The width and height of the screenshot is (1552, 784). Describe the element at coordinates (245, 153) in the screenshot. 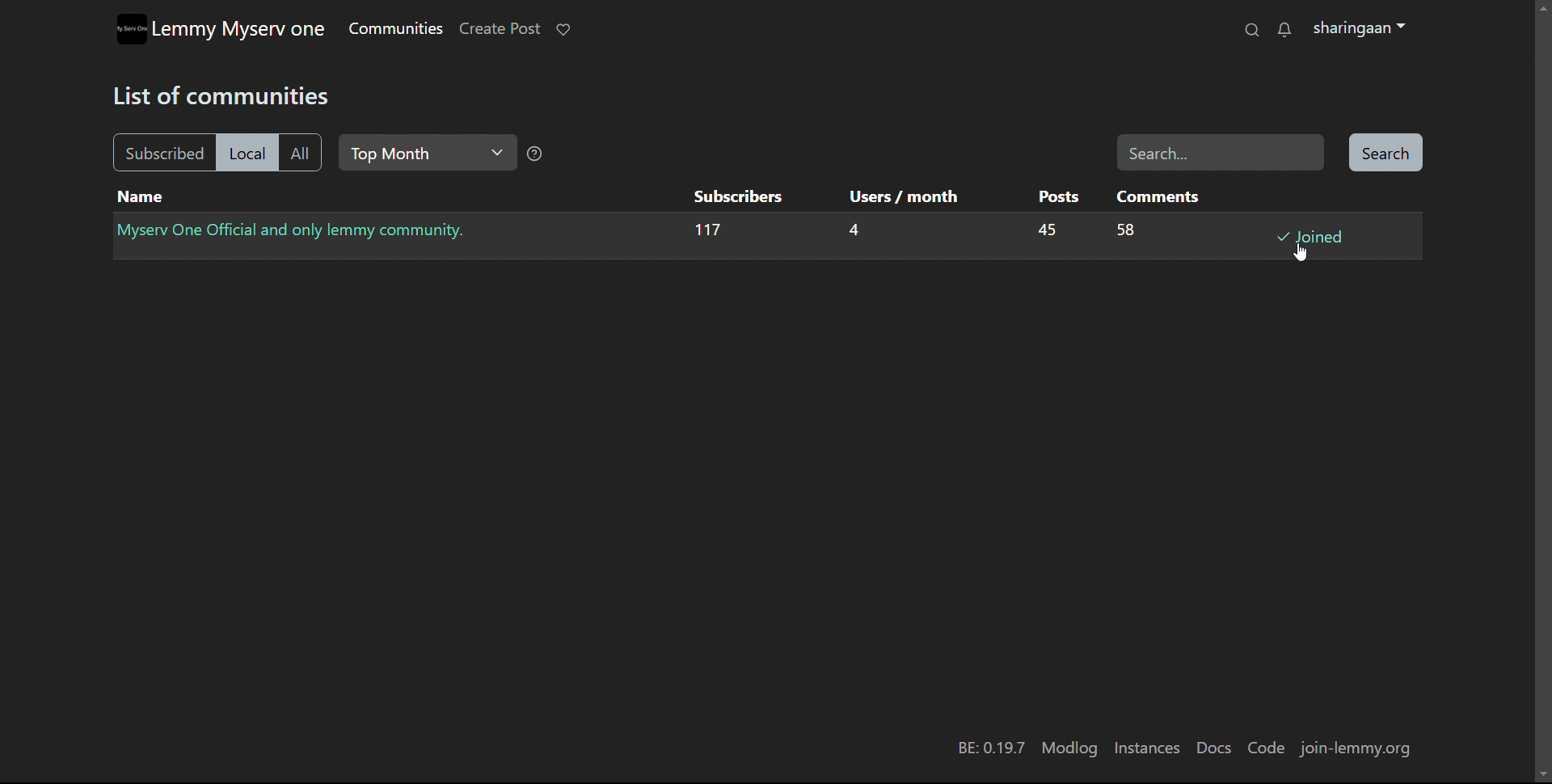

I see `local` at that location.